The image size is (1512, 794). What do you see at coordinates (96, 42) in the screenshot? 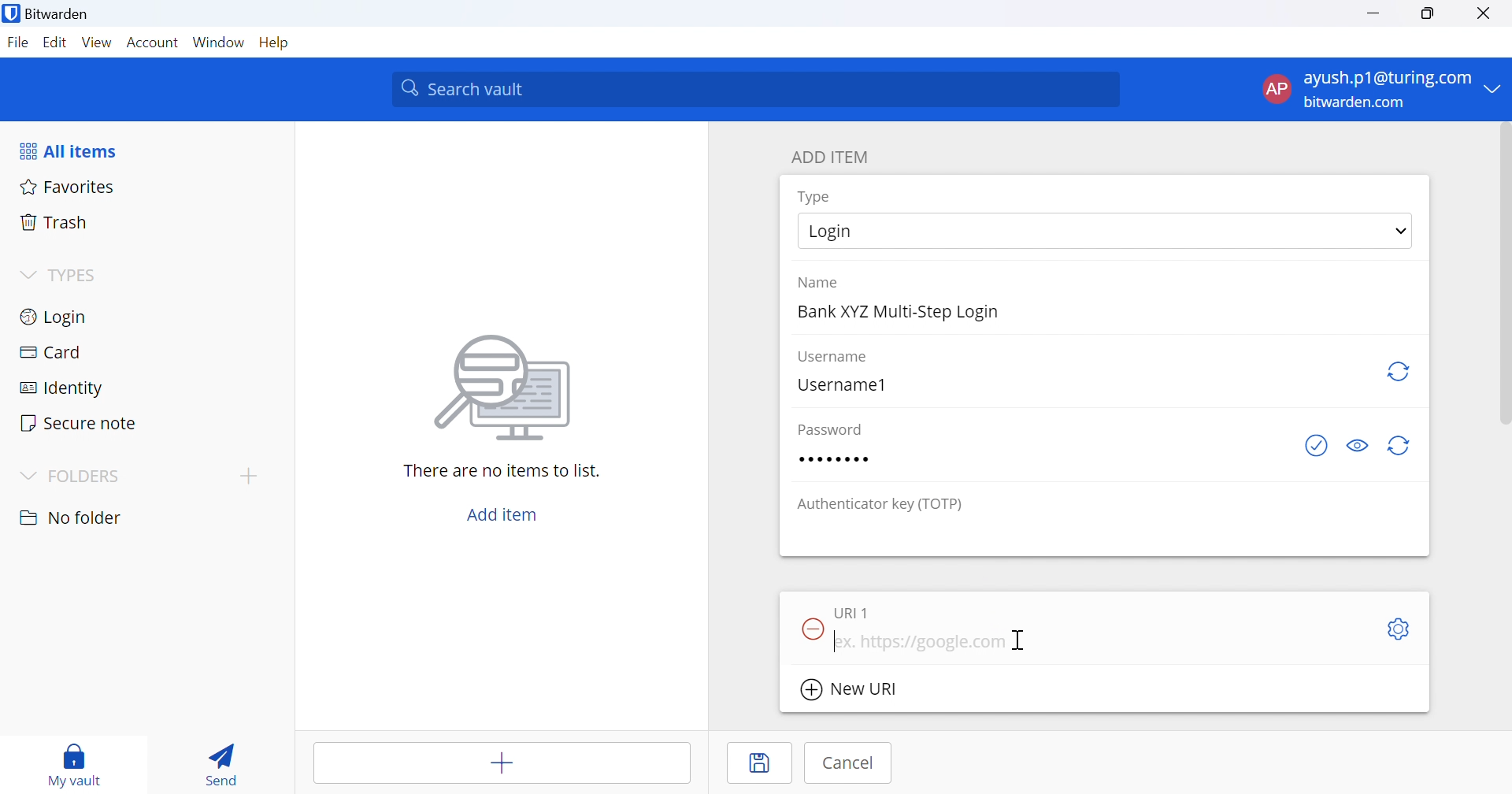
I see `View` at bounding box center [96, 42].